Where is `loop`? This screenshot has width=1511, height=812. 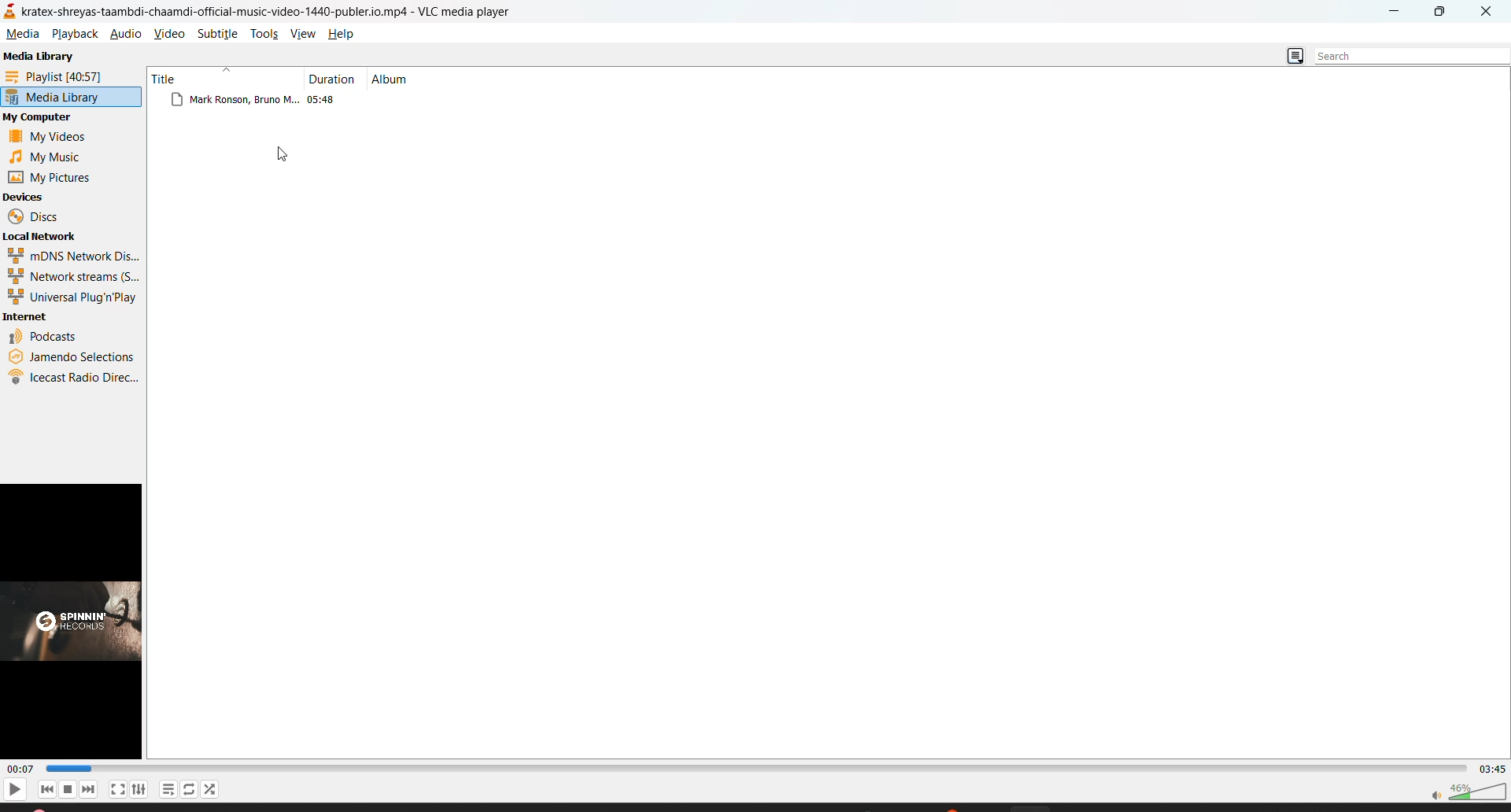
loop is located at coordinates (187, 788).